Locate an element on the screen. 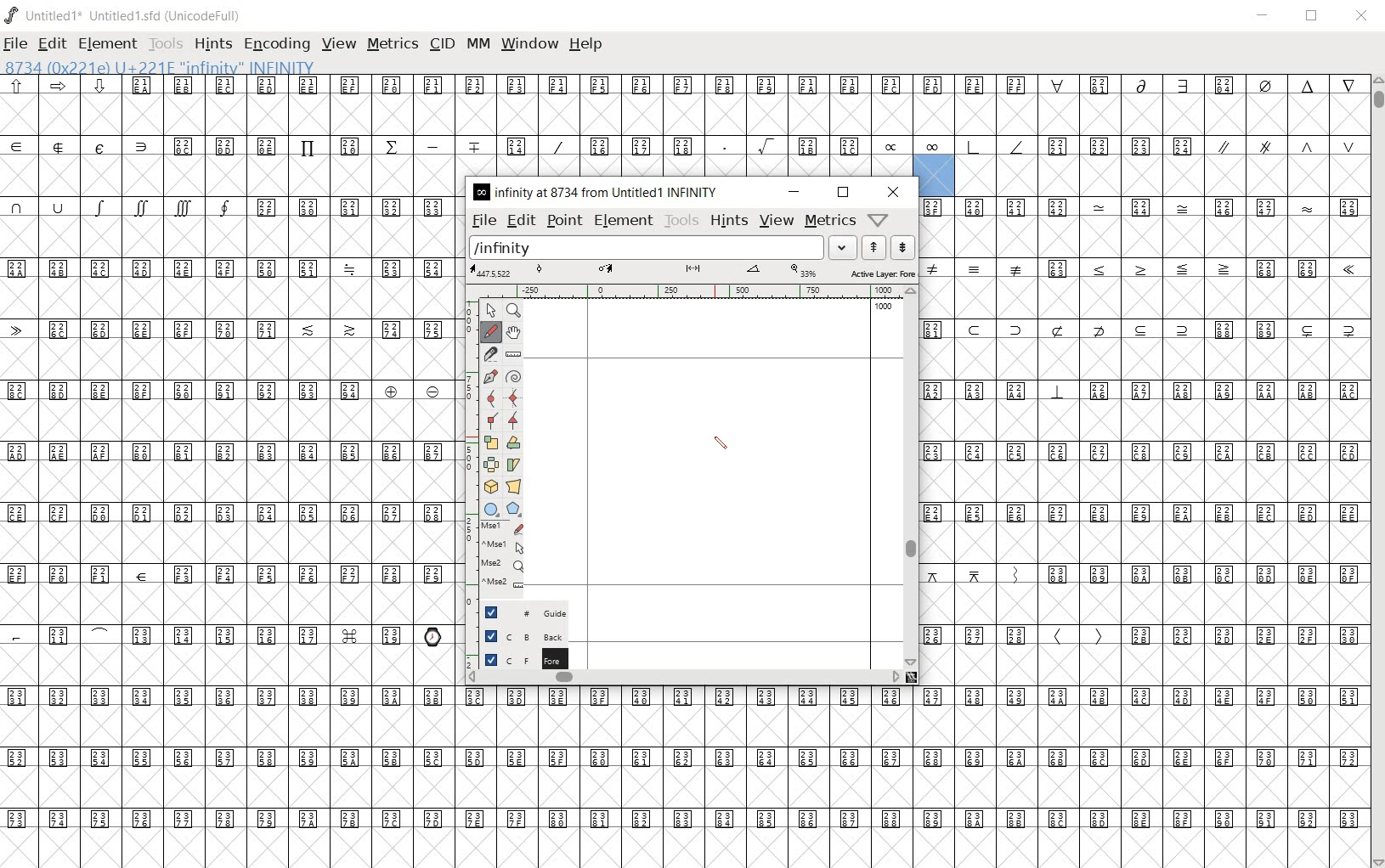  guide is located at coordinates (516, 614).